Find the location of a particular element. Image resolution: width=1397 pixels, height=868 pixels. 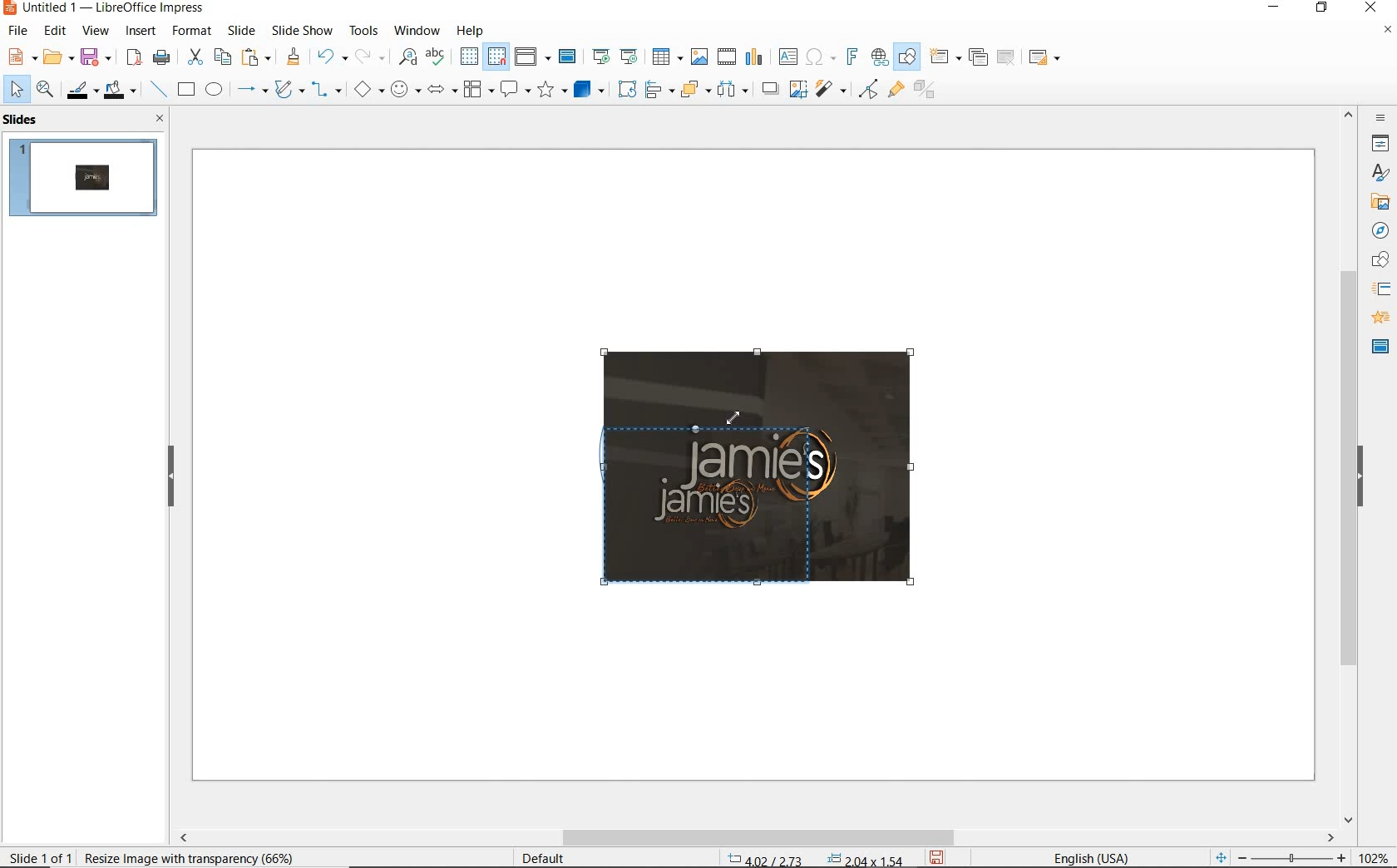

zoom is located at coordinates (1296, 858).